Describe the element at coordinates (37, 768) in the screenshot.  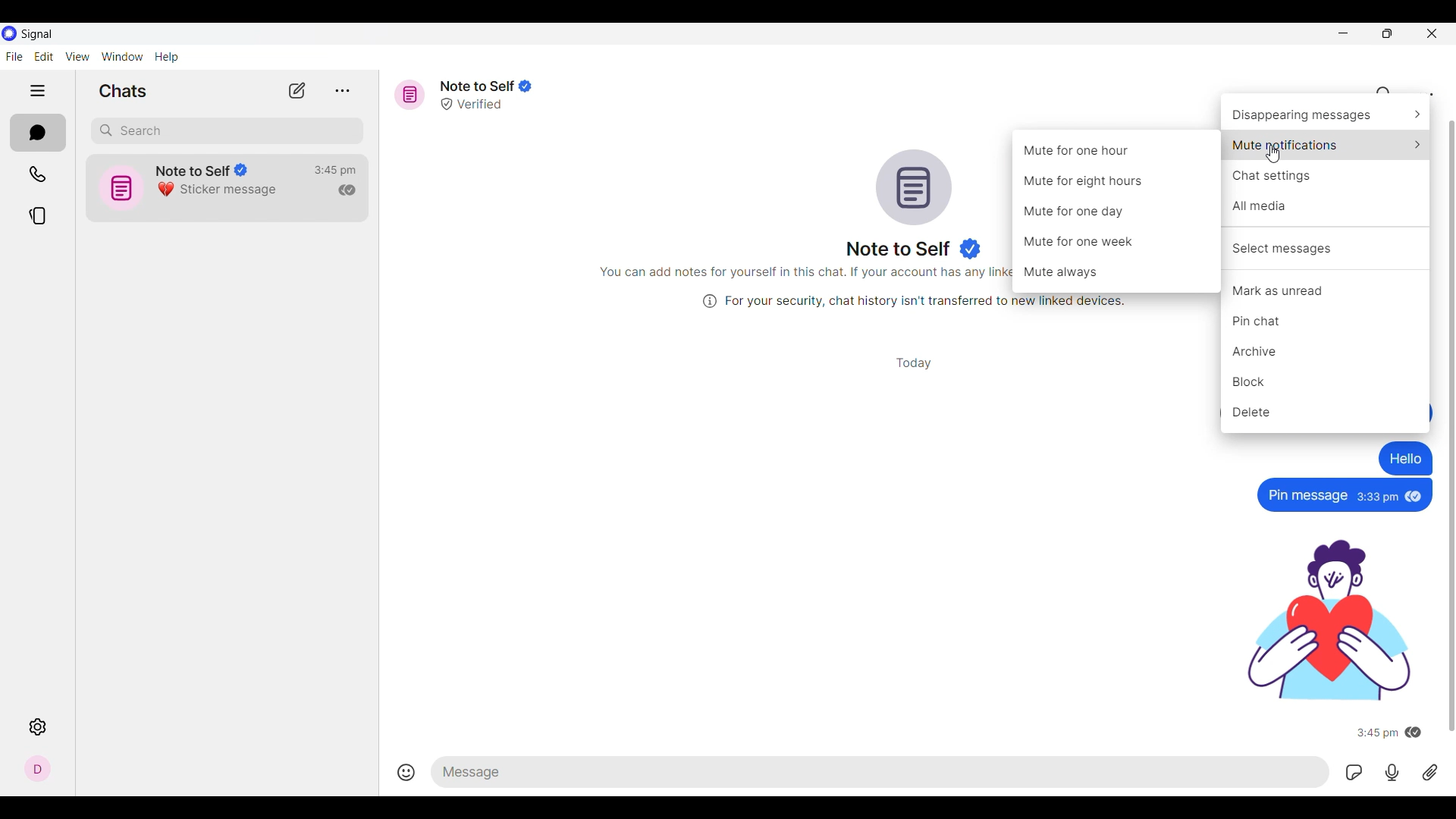
I see `Profile` at that location.